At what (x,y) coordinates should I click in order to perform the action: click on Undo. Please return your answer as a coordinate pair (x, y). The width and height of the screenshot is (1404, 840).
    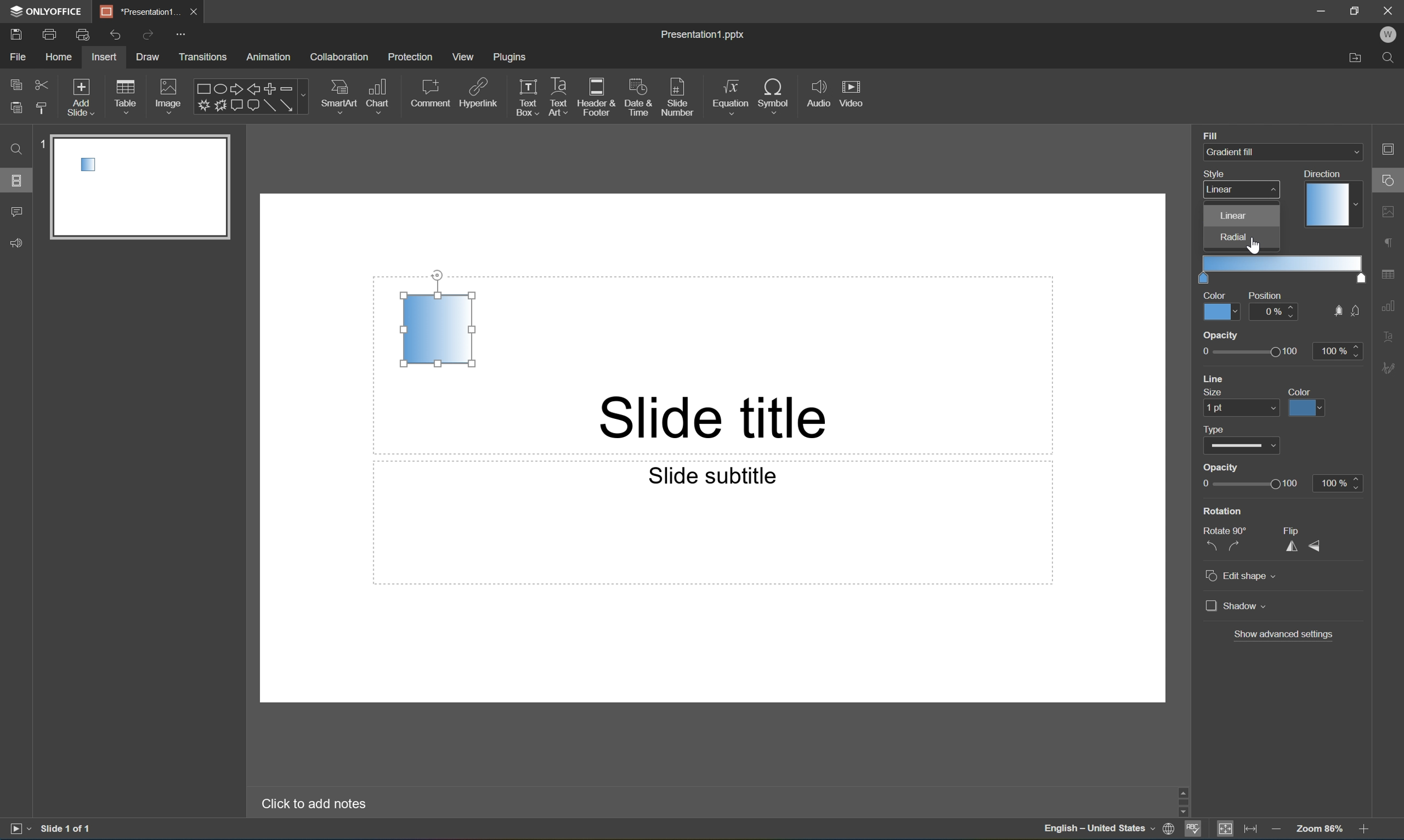
    Looking at the image, I should click on (115, 36).